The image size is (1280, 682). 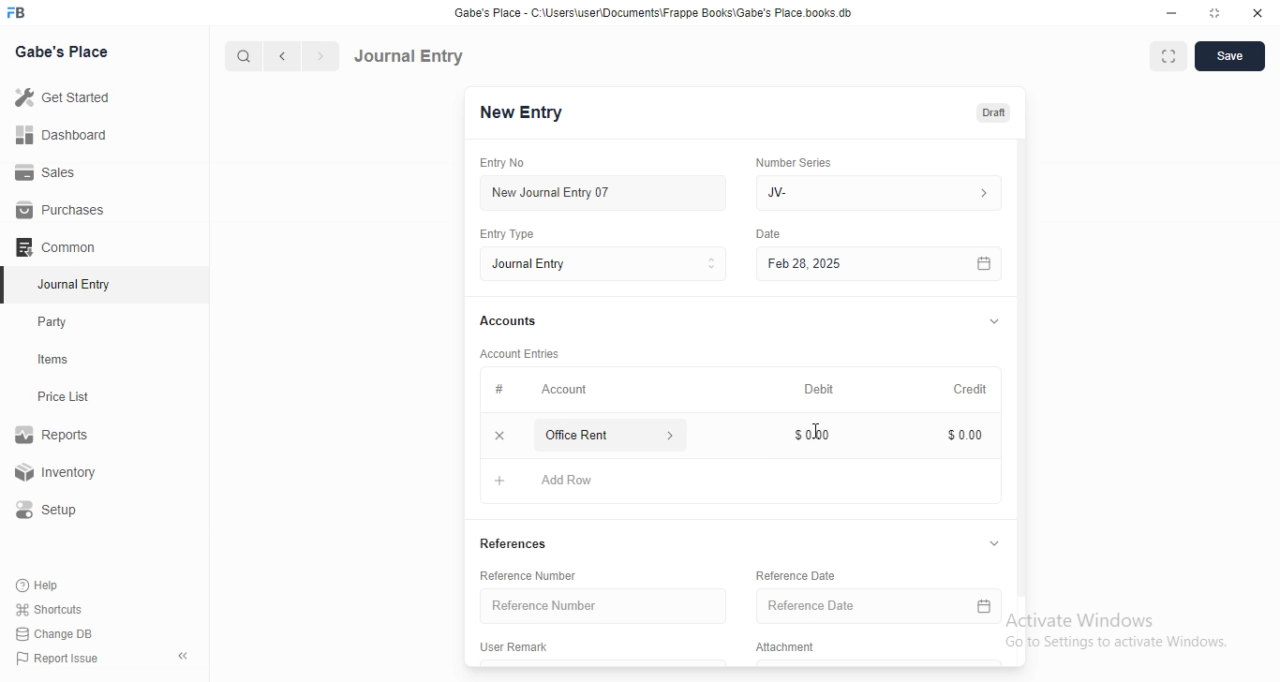 What do you see at coordinates (960, 436) in the screenshot?
I see `$ 0.00` at bounding box center [960, 436].